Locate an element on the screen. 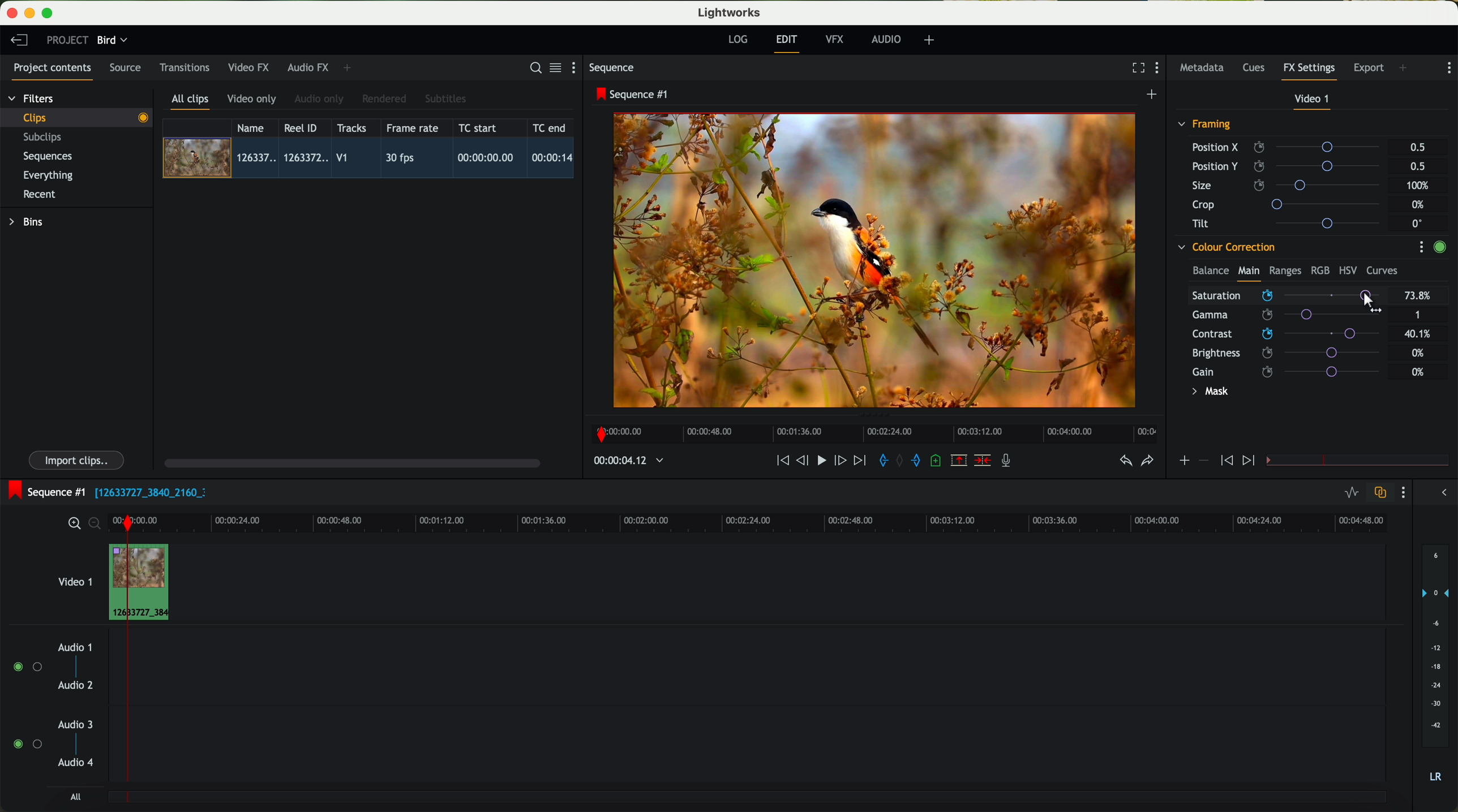 The width and height of the screenshot is (1458, 812). tracks is located at coordinates (350, 128).